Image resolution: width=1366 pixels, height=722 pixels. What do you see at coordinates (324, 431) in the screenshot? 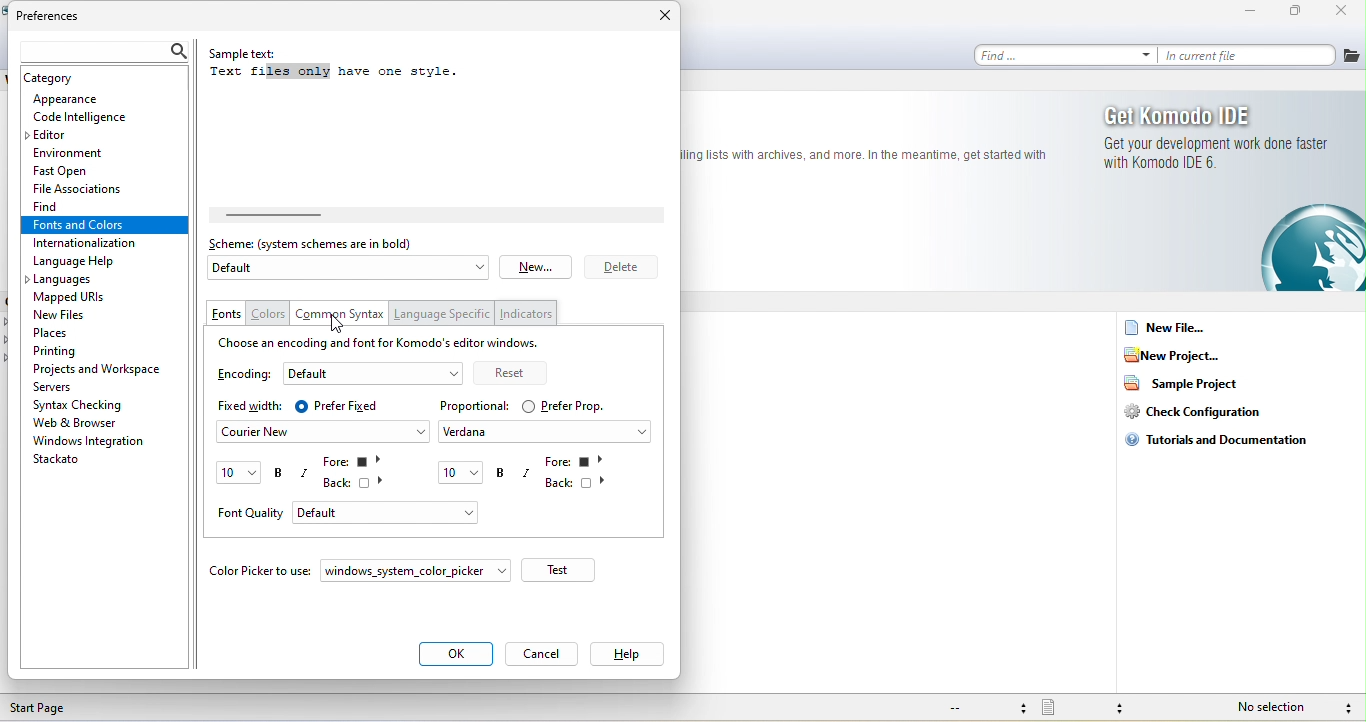
I see `courier new` at bounding box center [324, 431].